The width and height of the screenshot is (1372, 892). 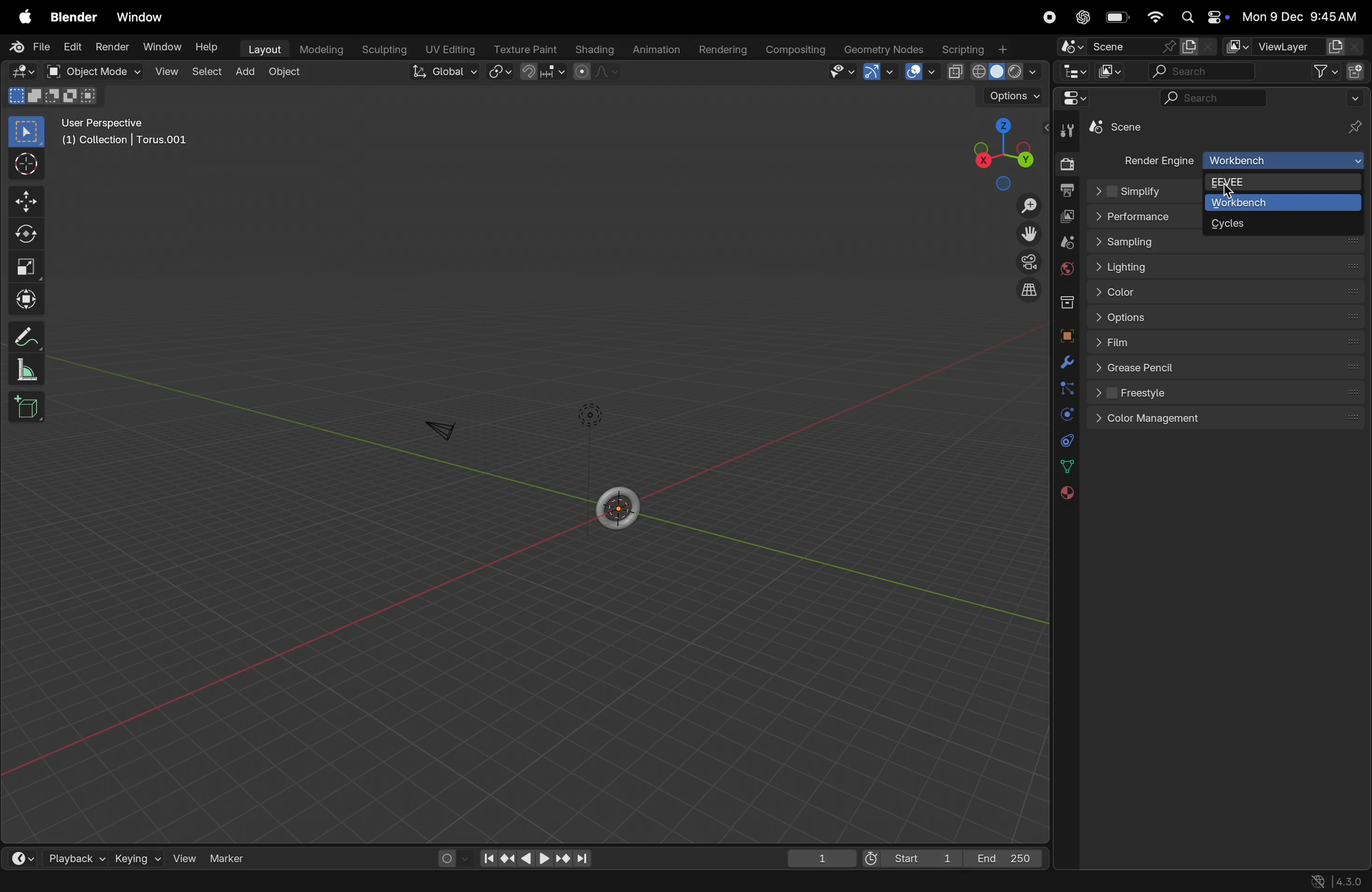 I want to click on Rotate, so click(x=29, y=235).